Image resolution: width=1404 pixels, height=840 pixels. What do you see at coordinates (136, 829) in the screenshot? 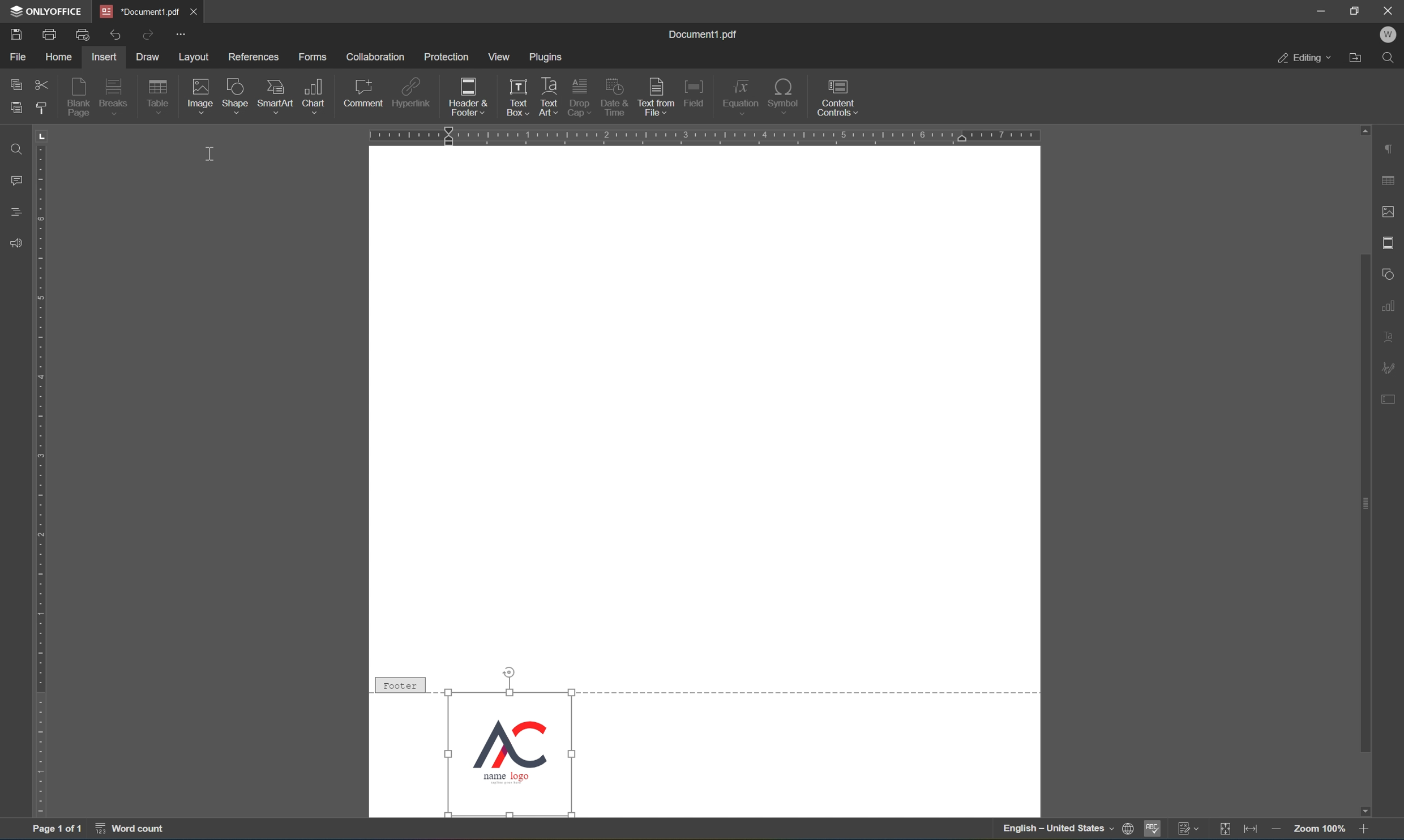
I see `word count` at bounding box center [136, 829].